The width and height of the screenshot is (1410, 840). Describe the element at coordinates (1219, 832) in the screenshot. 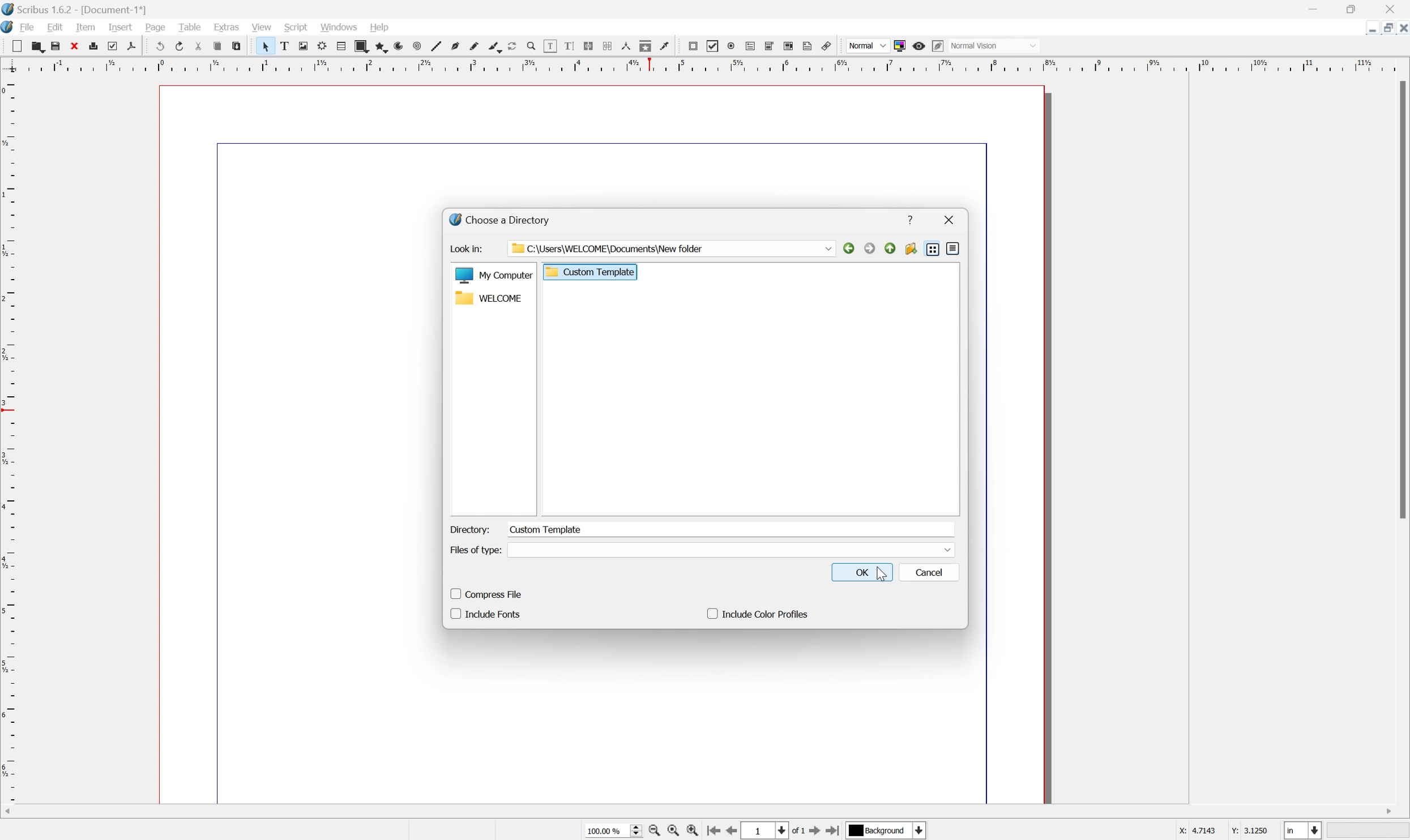

I see `X: 4.7143 Y: 3.1250` at that location.